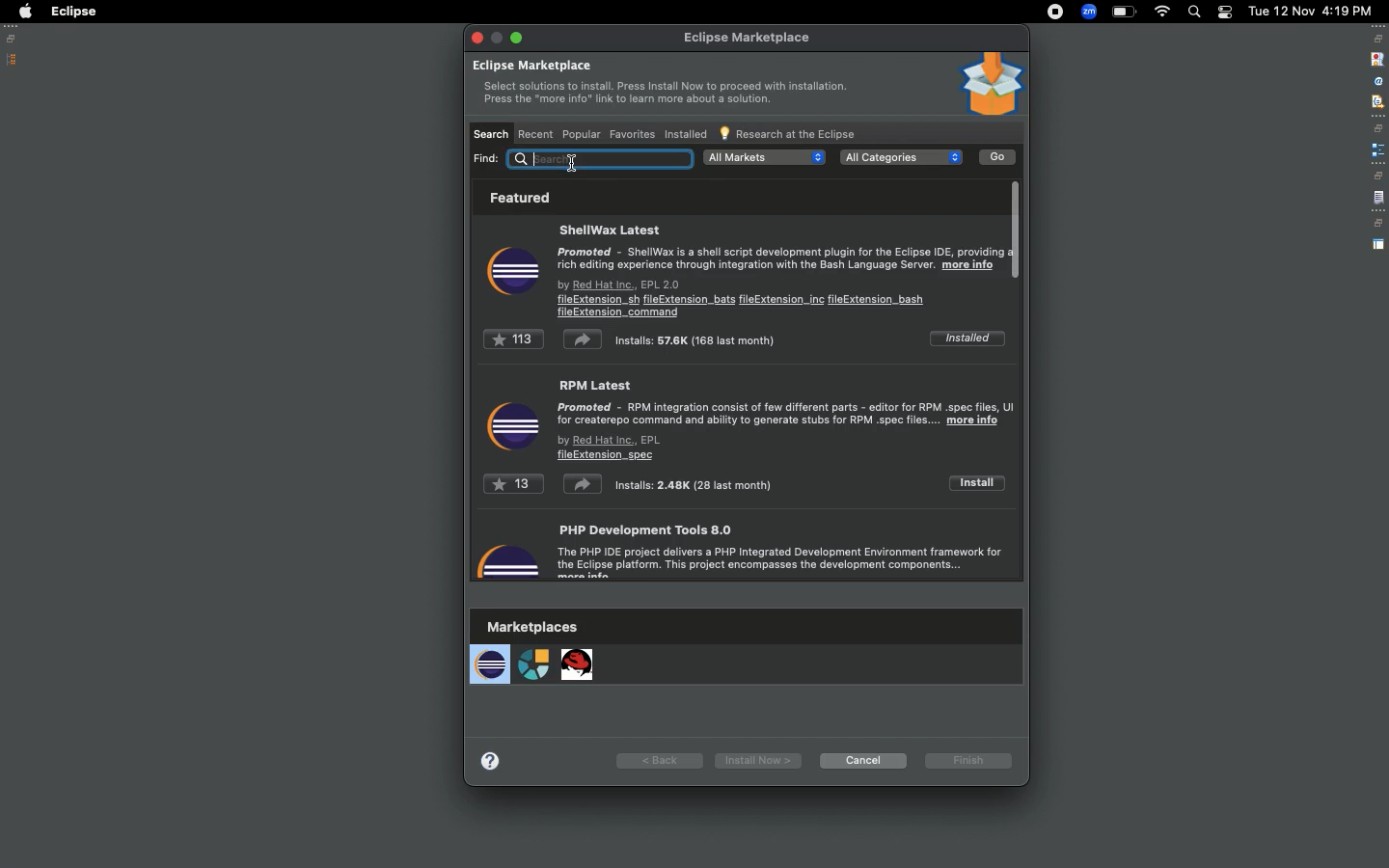 The width and height of the screenshot is (1389, 868). Describe the element at coordinates (1088, 12) in the screenshot. I see `Zoom` at that location.